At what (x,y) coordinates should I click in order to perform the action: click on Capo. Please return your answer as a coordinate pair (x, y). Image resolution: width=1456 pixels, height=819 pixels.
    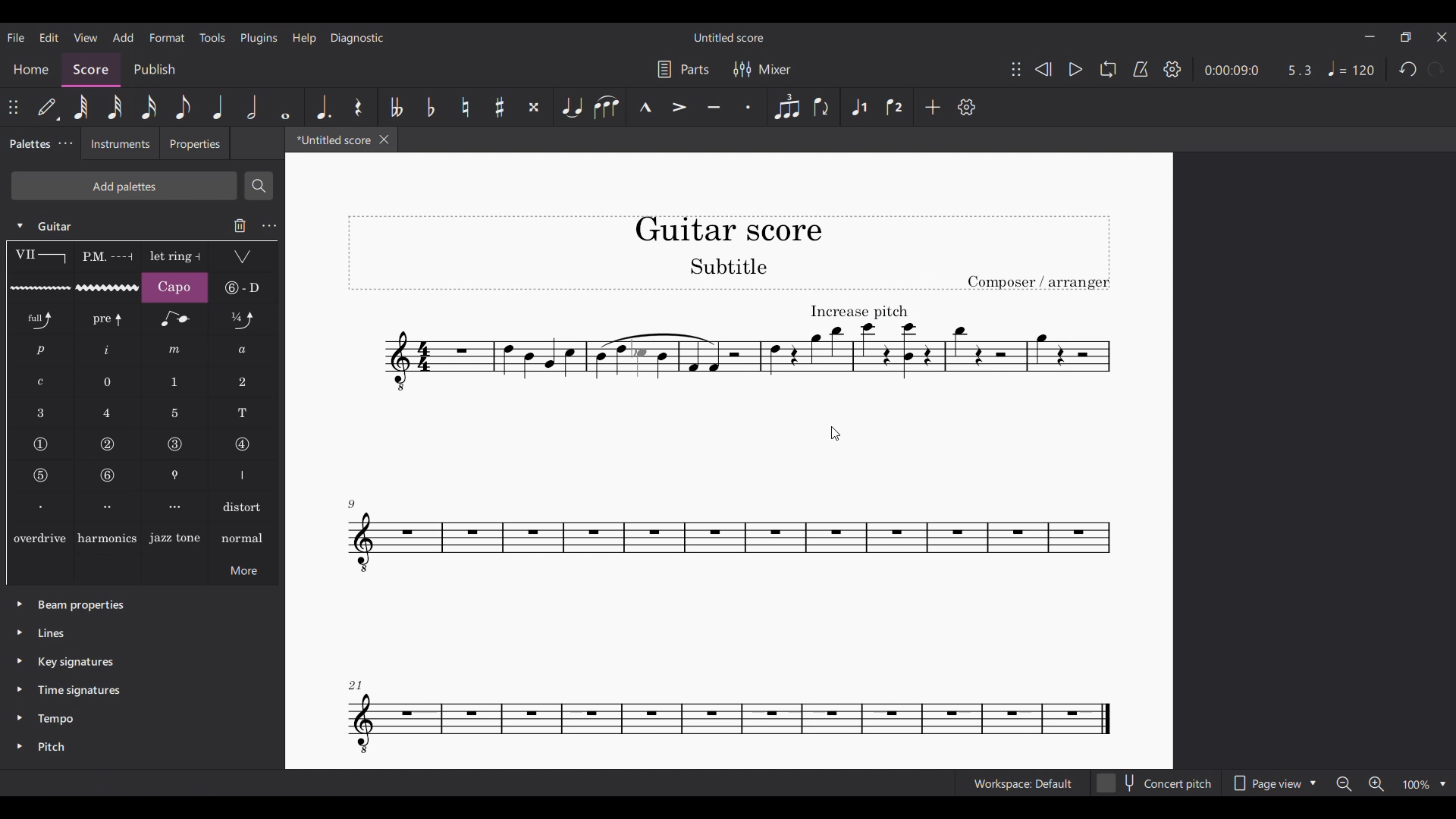
    Looking at the image, I should click on (174, 287).